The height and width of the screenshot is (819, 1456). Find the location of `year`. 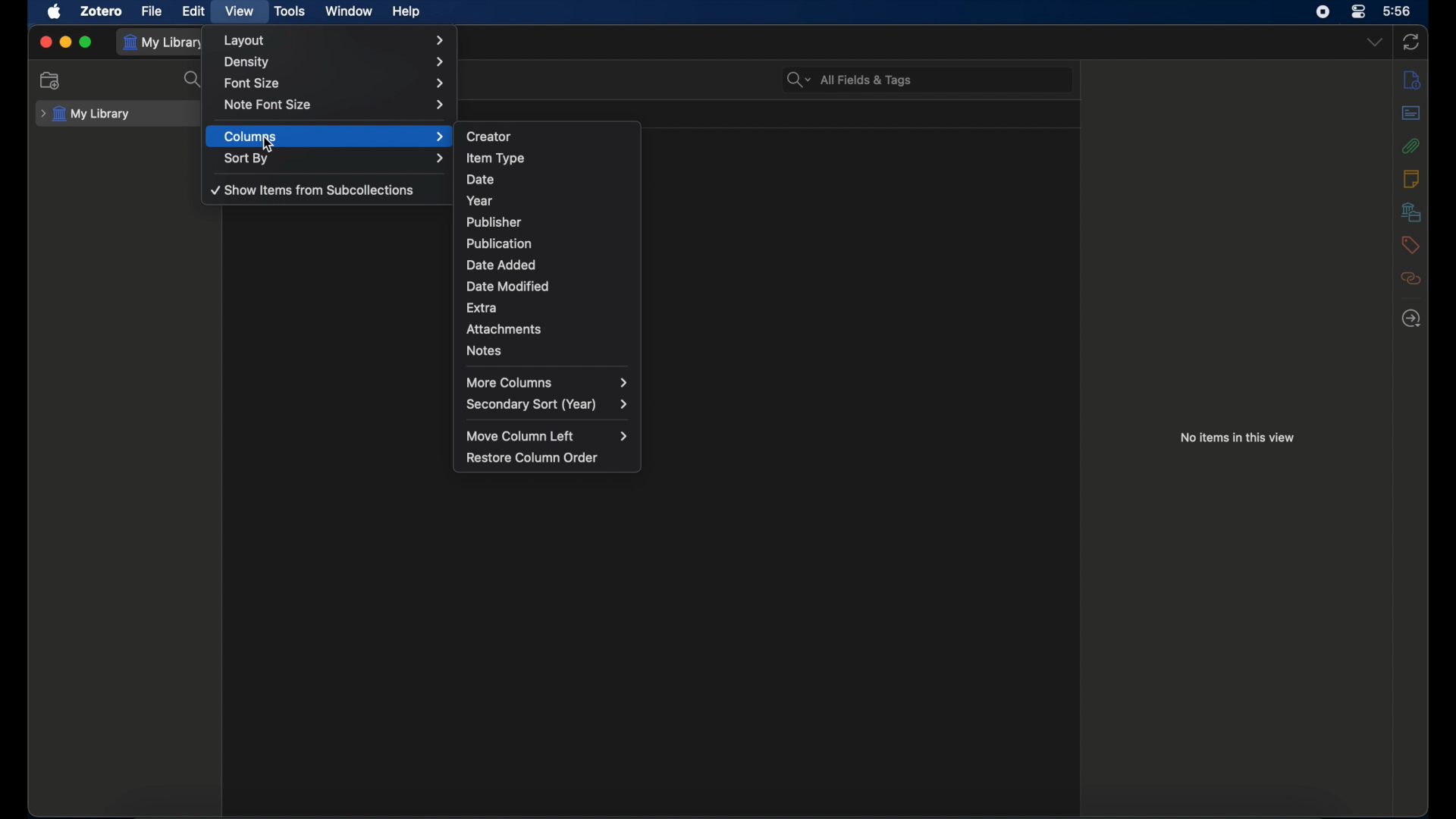

year is located at coordinates (552, 199).